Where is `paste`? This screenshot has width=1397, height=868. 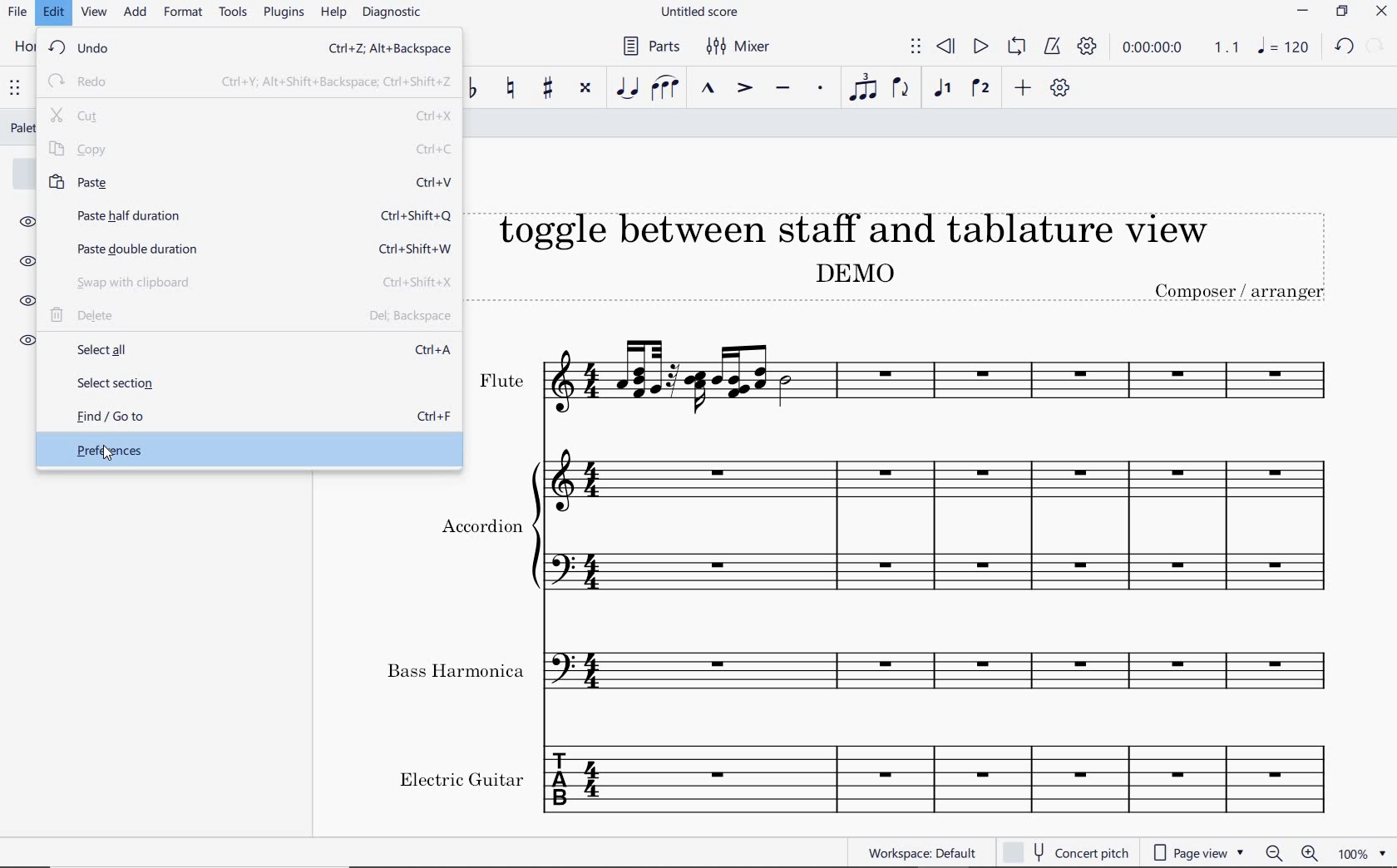
paste is located at coordinates (247, 181).